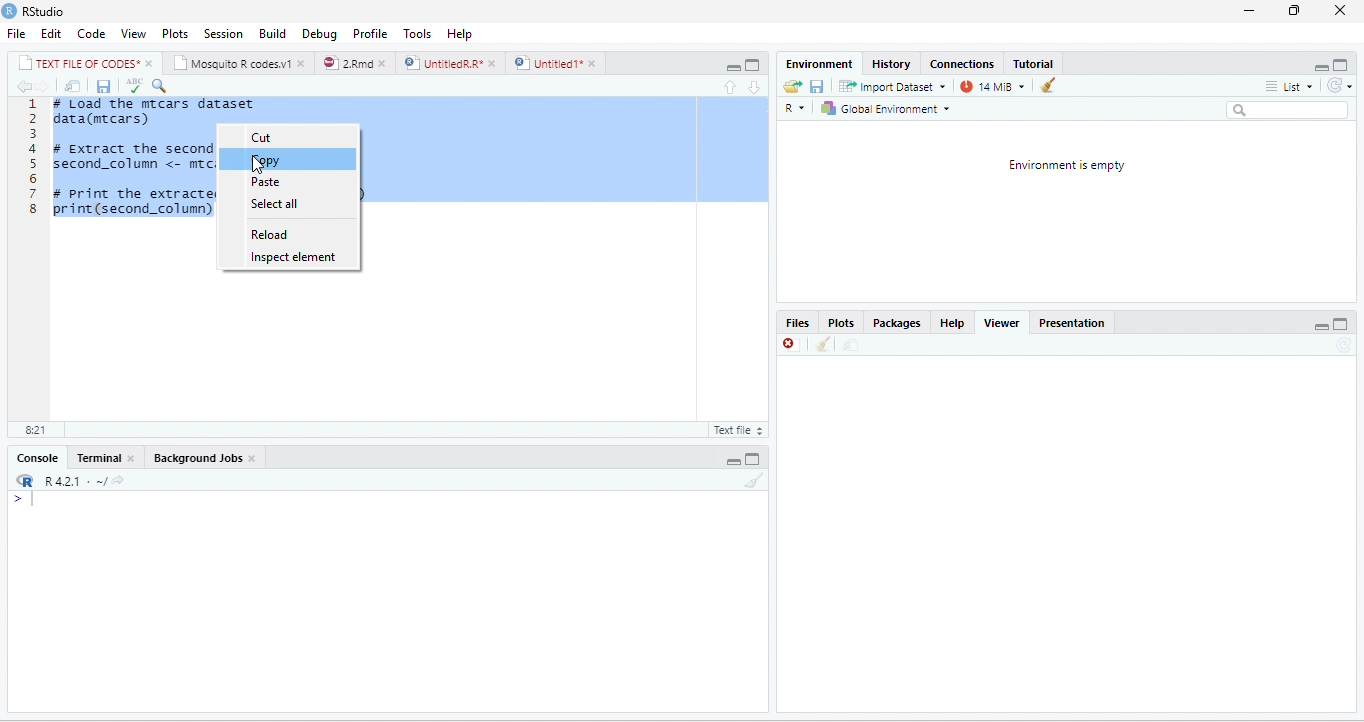  I want to click on save , so click(818, 86).